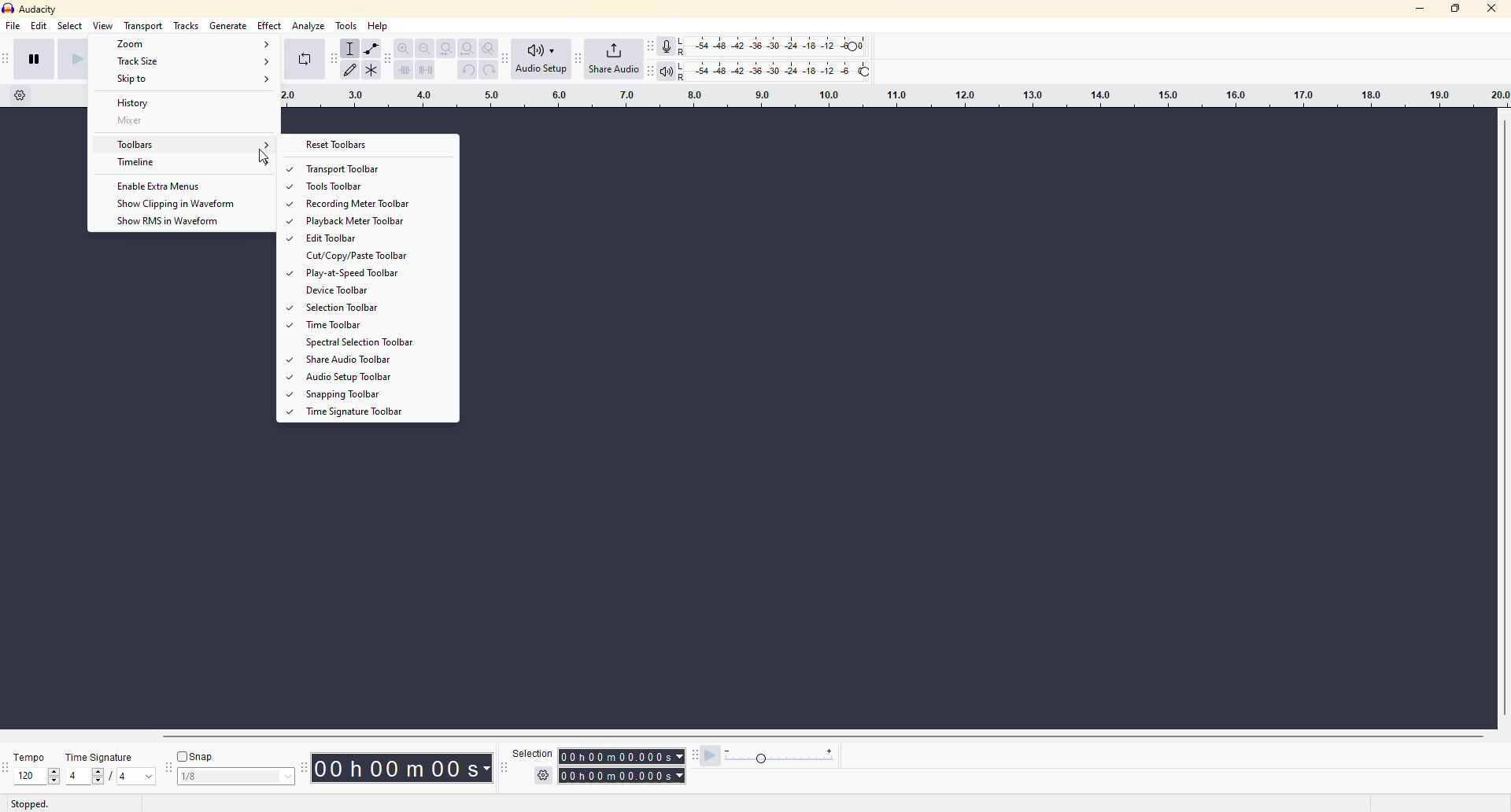 Image resolution: width=1511 pixels, height=812 pixels. I want to click on playback meter toolbar, so click(345, 221).